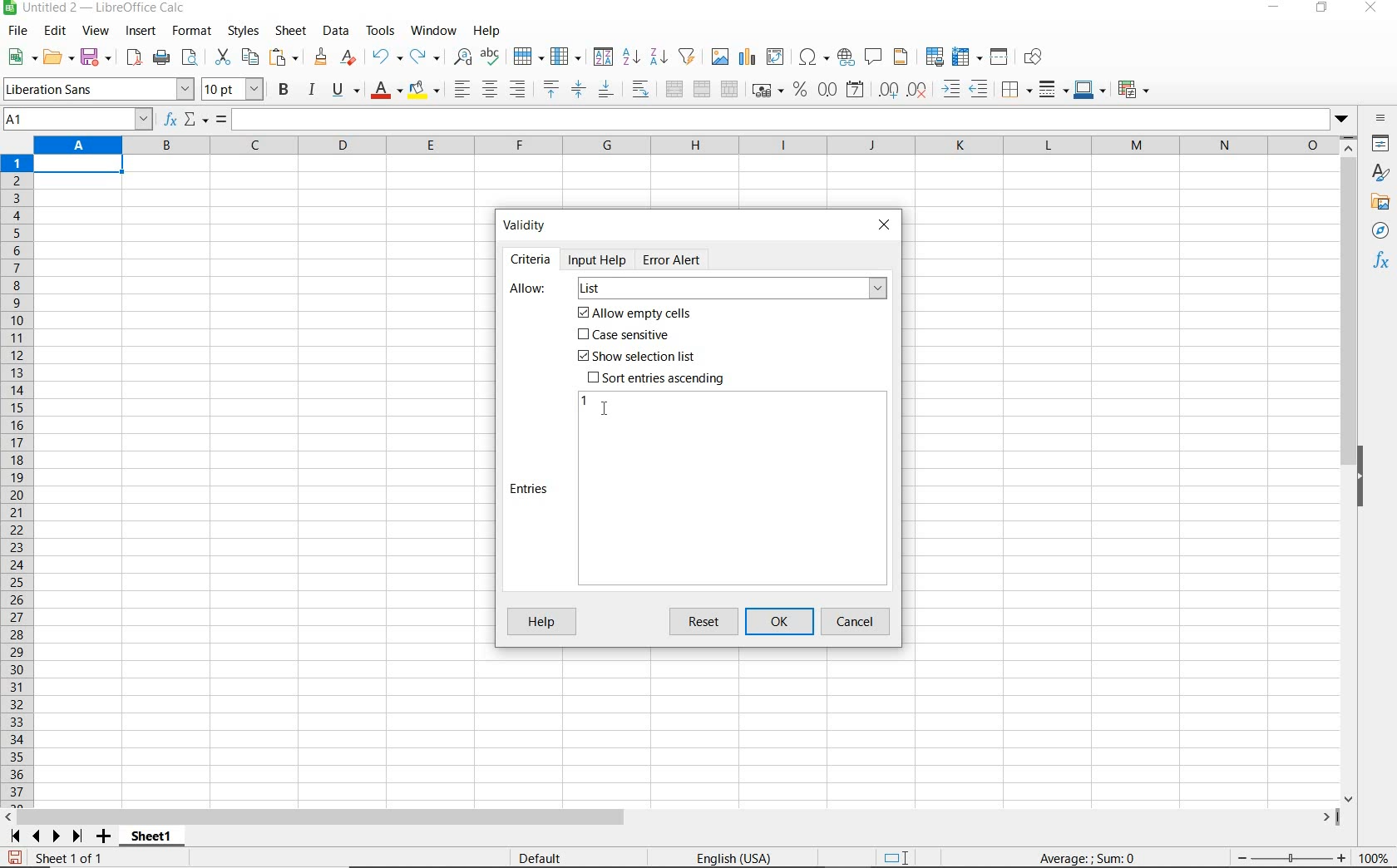 Image resolution: width=1397 pixels, height=868 pixels. Describe the element at coordinates (192, 59) in the screenshot. I see `toggle print preview` at that location.